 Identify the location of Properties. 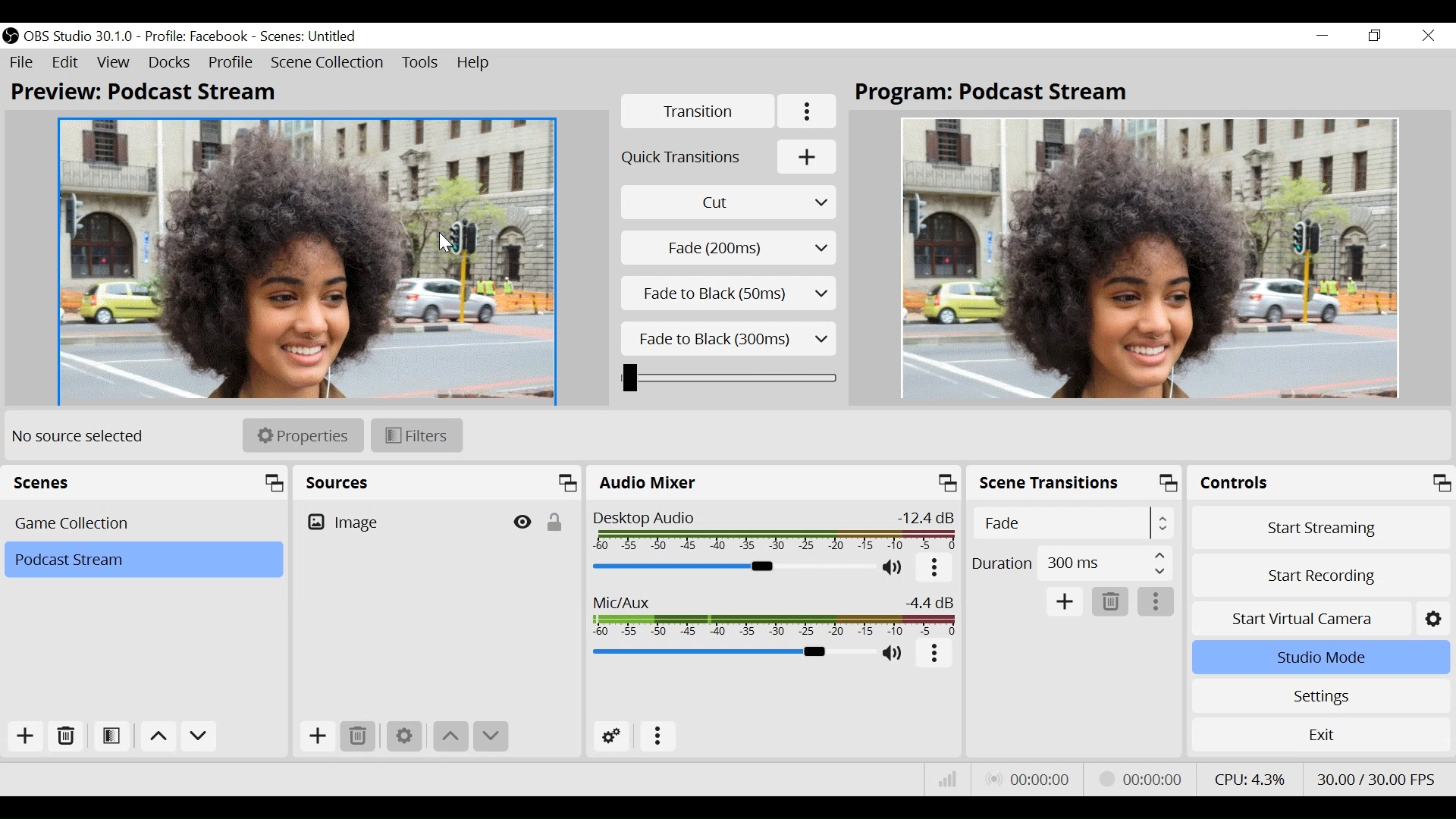
(303, 435).